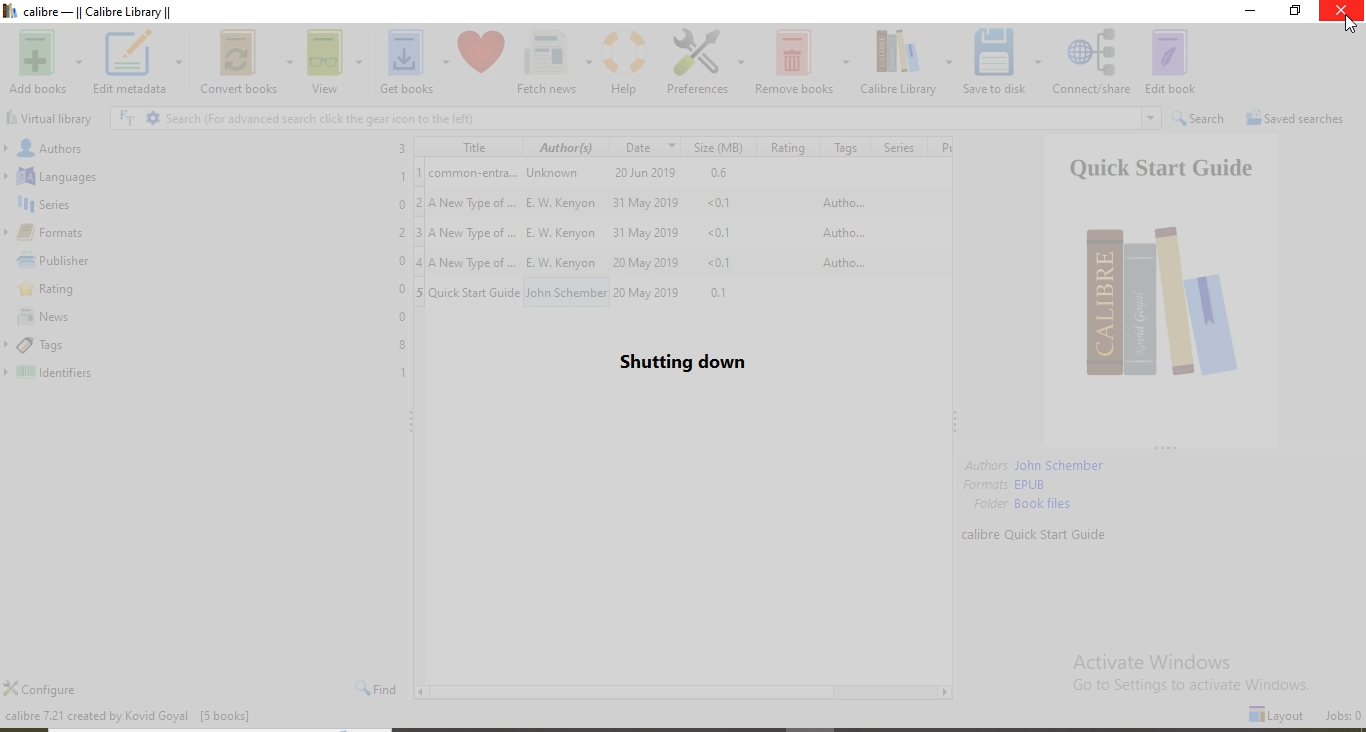 The image size is (1366, 732). Describe the element at coordinates (417, 259) in the screenshot. I see `4` at that location.